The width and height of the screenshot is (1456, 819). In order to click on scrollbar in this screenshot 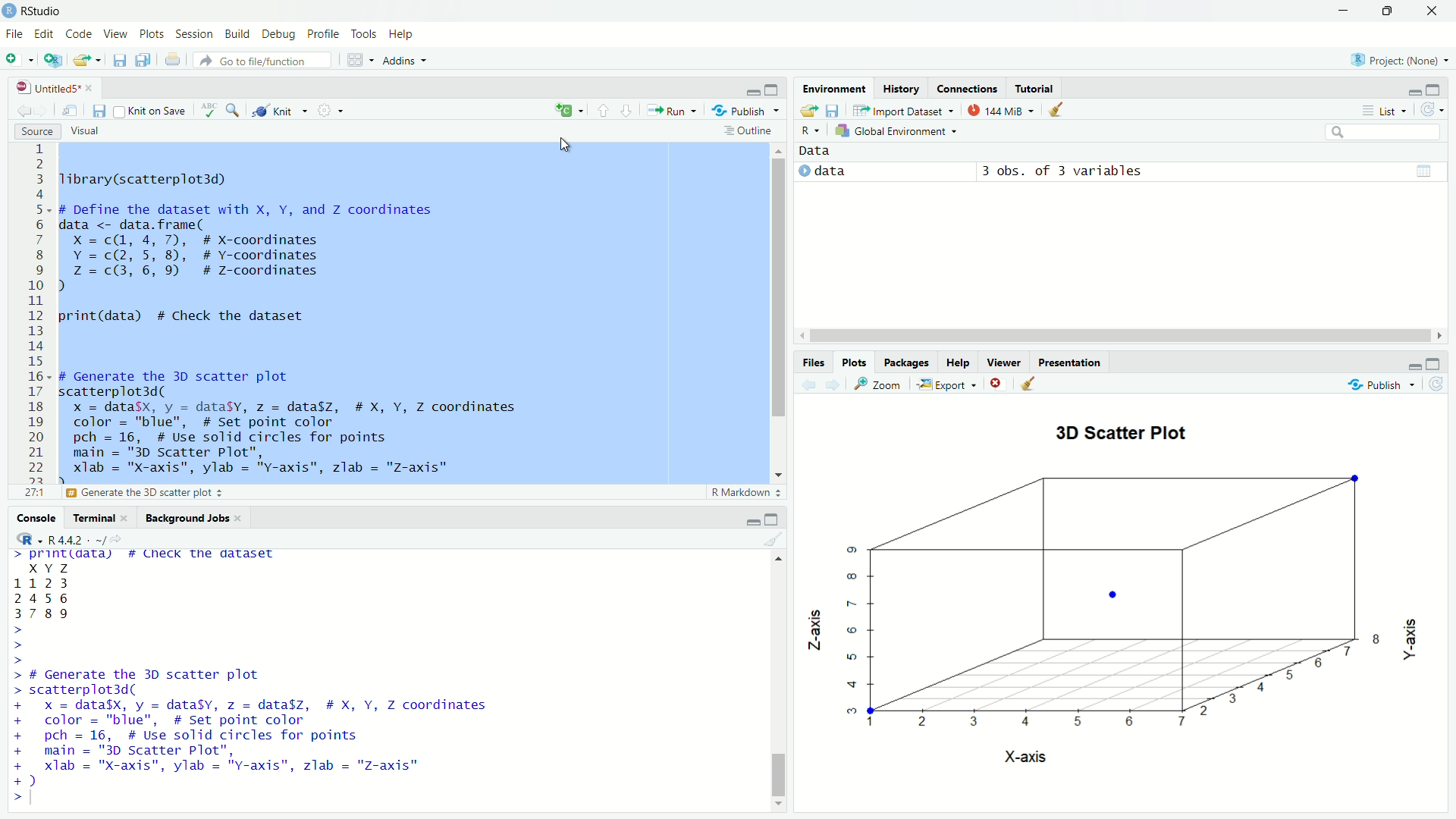, I will do `click(1119, 335)`.